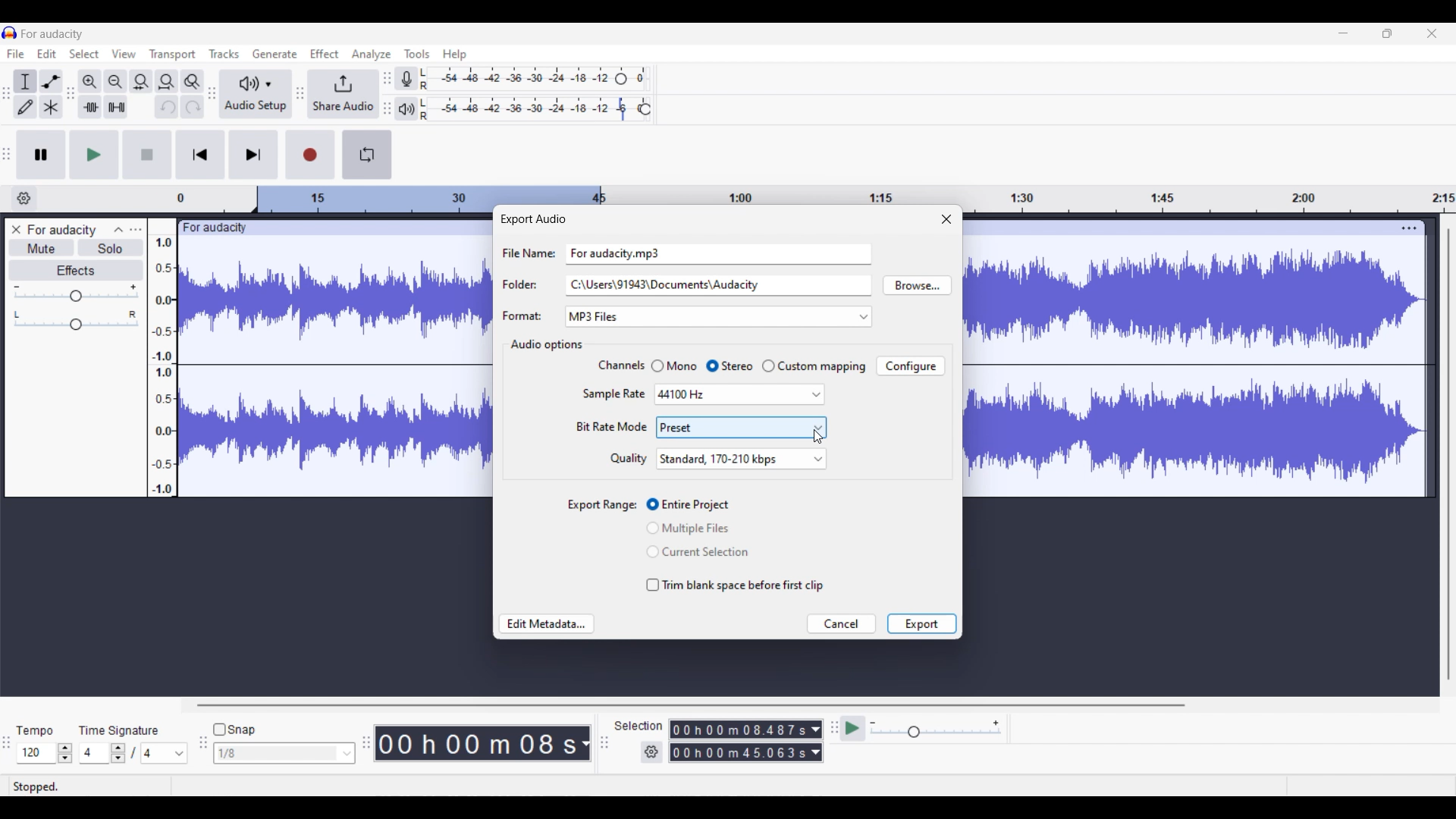 The image size is (1456, 819). What do you see at coordinates (34, 731) in the screenshot?
I see `Tempo settings` at bounding box center [34, 731].